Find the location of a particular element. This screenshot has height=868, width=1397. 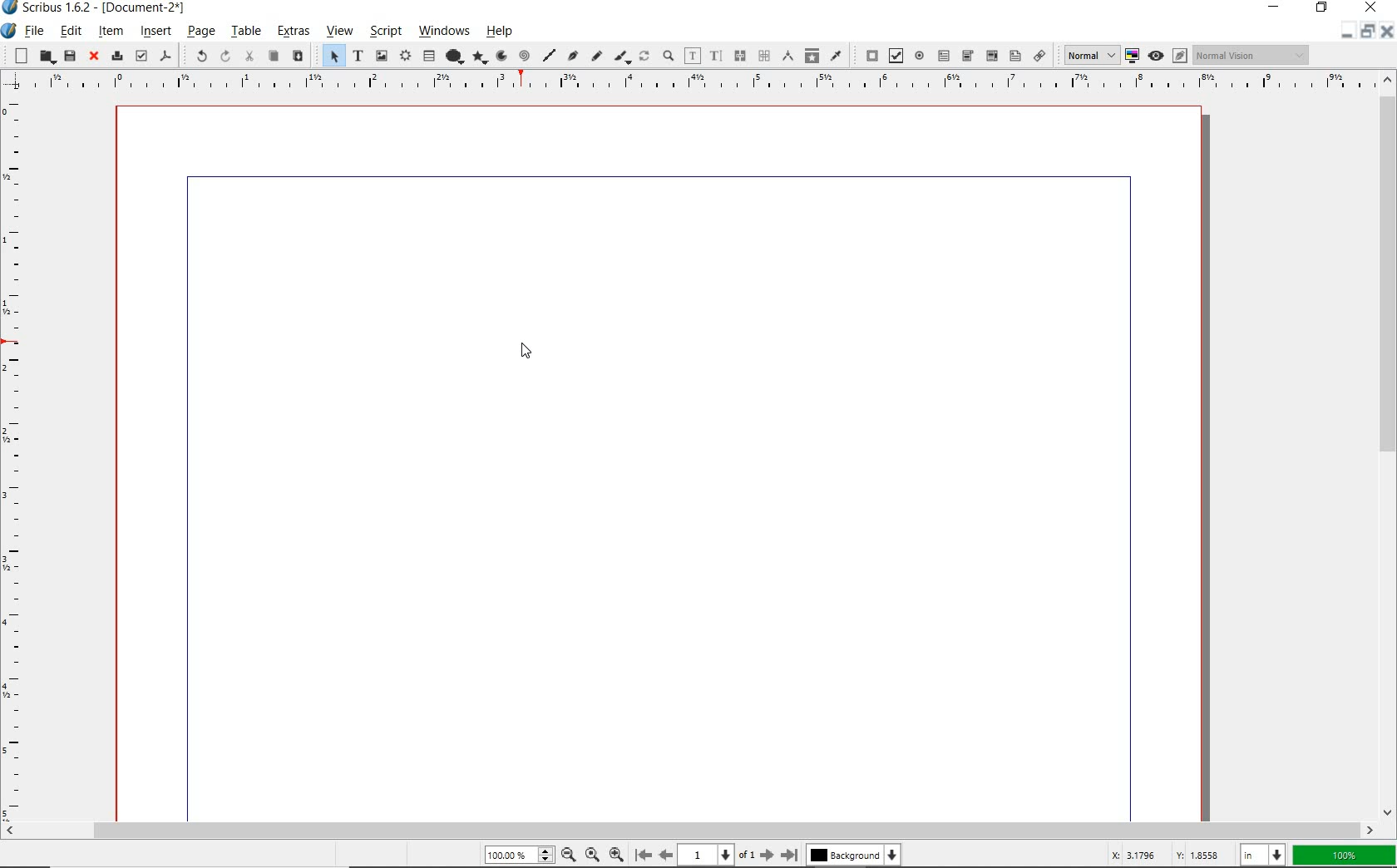

page is located at coordinates (200, 32).